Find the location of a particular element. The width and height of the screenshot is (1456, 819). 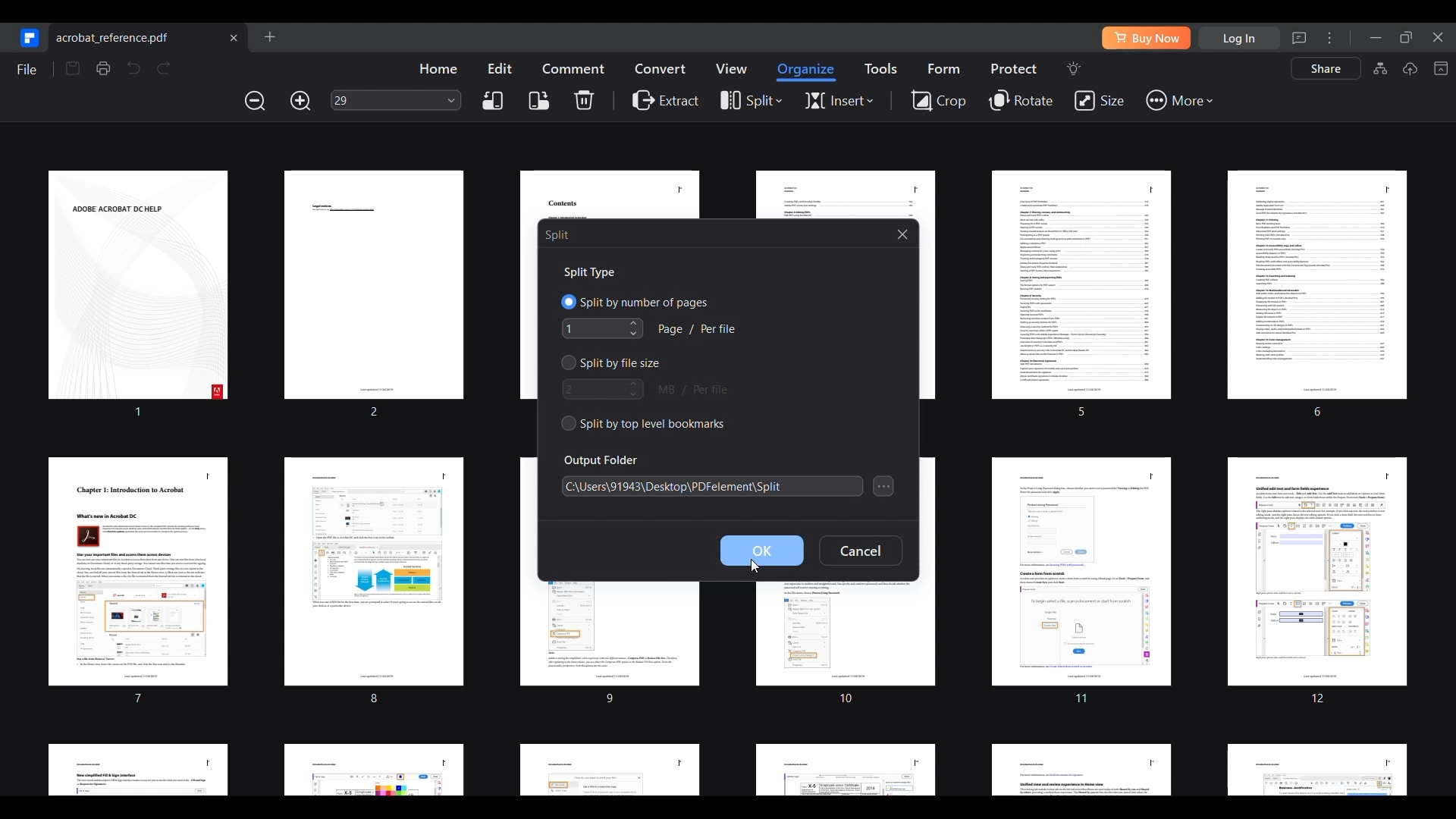

Ok is located at coordinates (761, 551).